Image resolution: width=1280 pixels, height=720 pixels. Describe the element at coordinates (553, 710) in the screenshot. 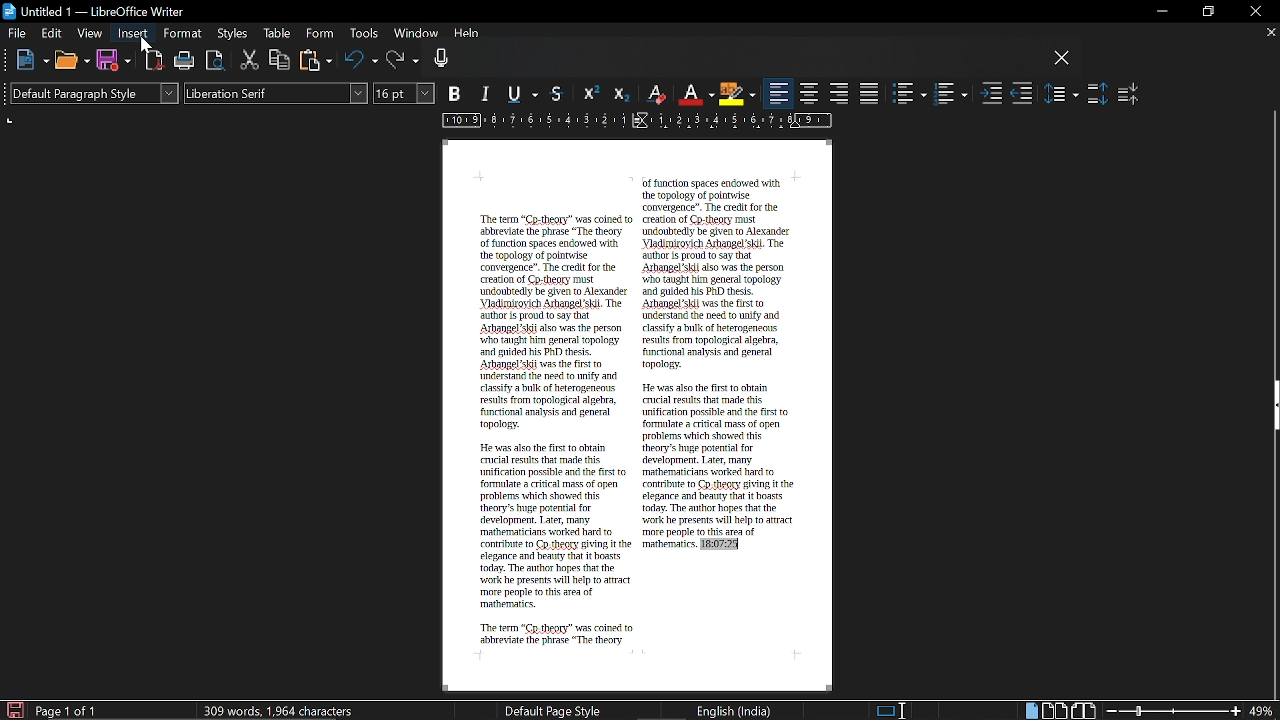

I see `Default page style` at that location.